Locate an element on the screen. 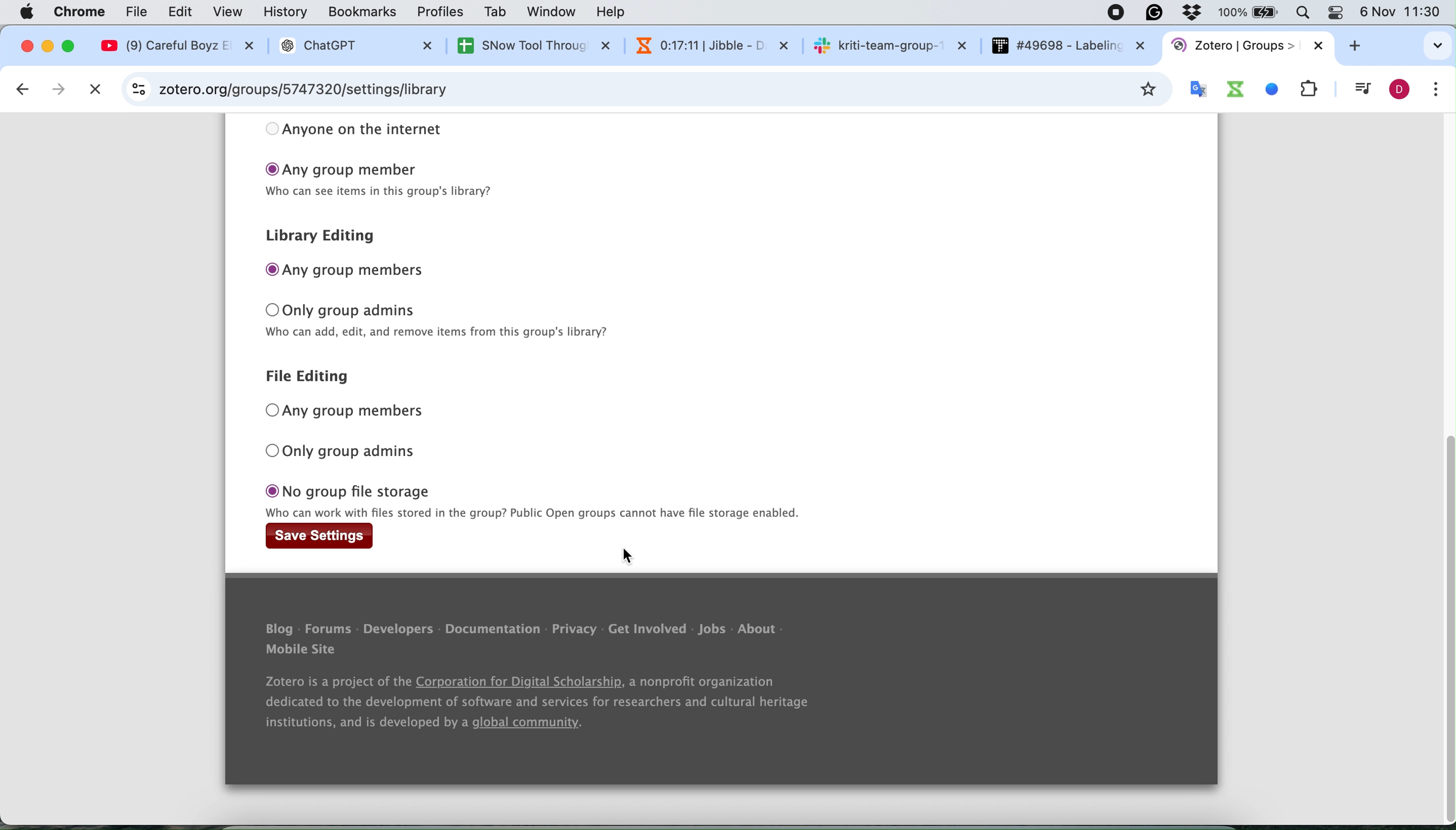  help is located at coordinates (616, 11).